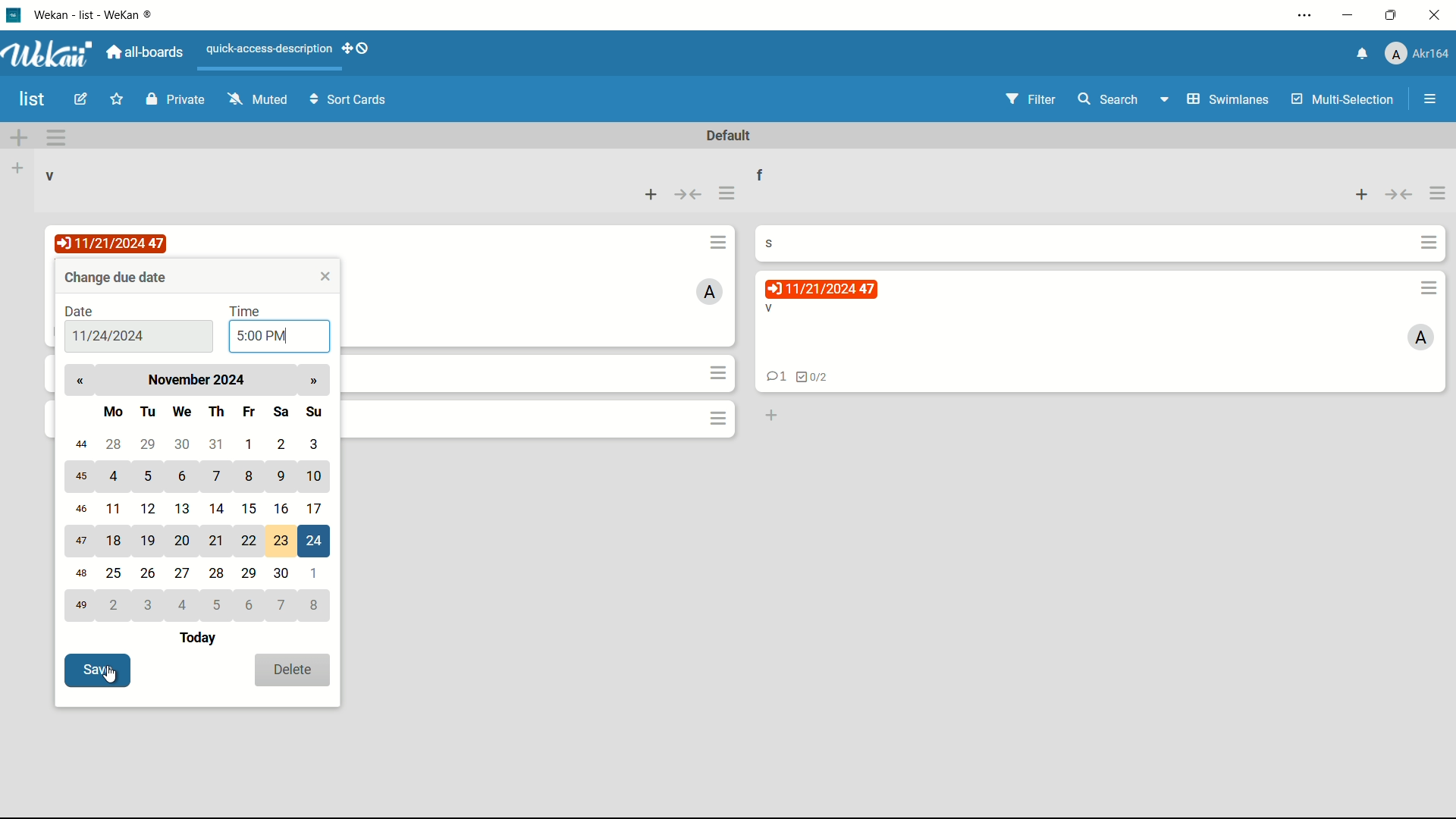 This screenshot has width=1456, height=819. I want to click on private, so click(175, 101).